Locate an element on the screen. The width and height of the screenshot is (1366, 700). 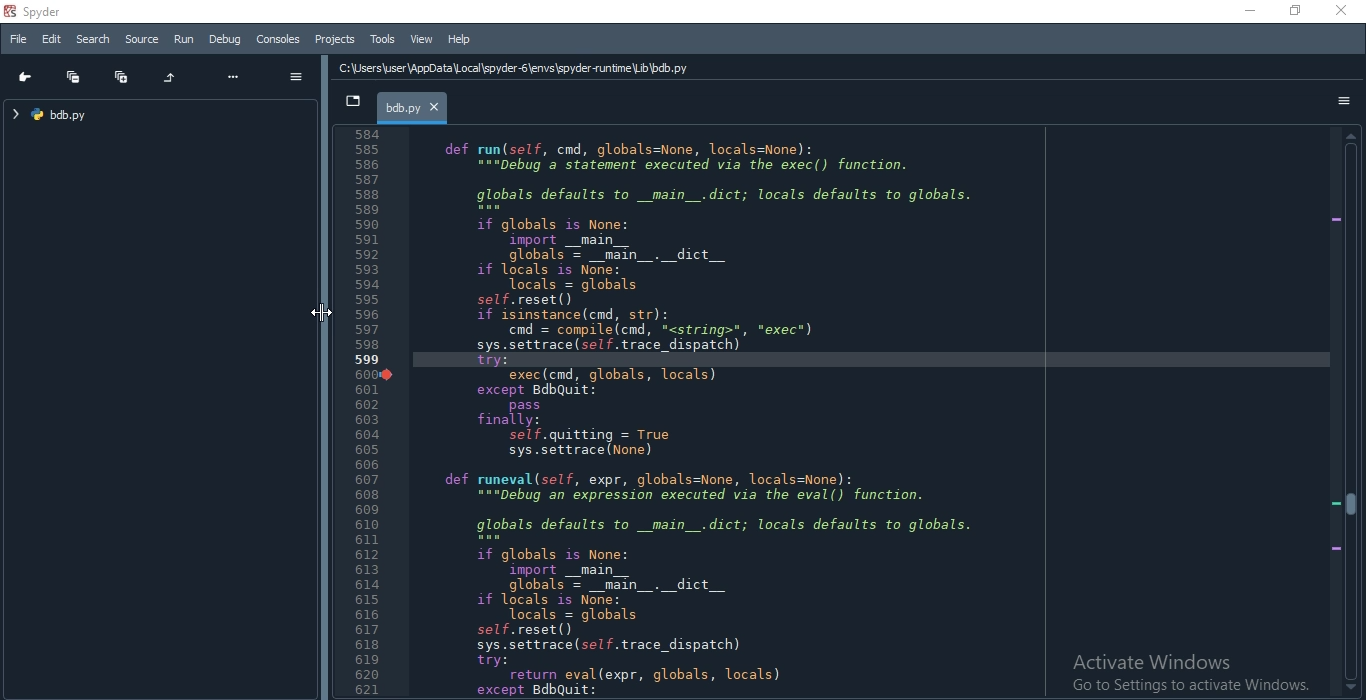
Tools is located at coordinates (383, 39).